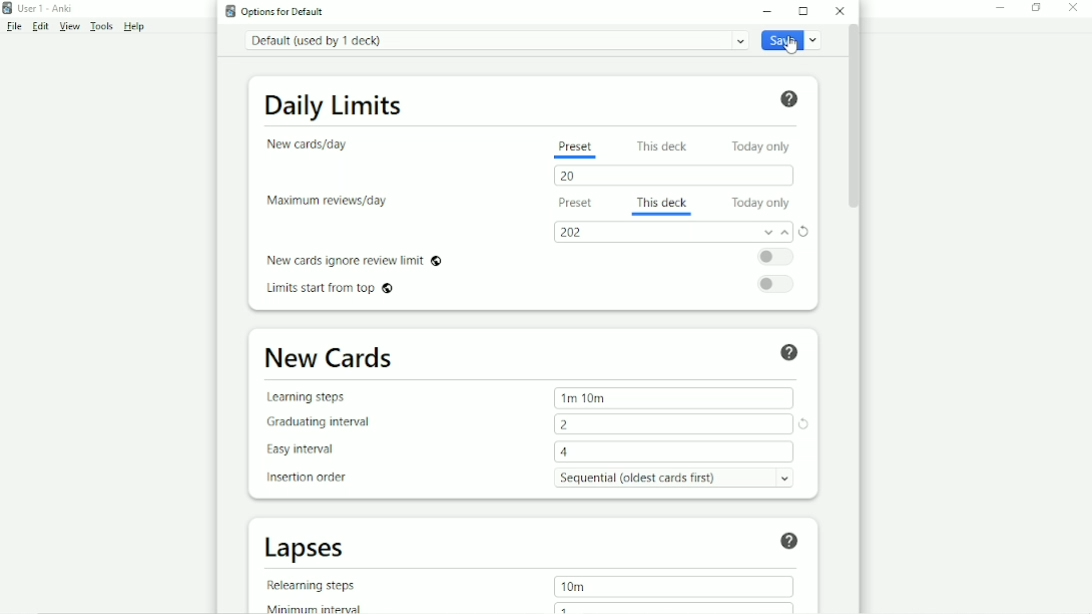  Describe the element at coordinates (852, 118) in the screenshot. I see `Vertical scrollbar` at that location.